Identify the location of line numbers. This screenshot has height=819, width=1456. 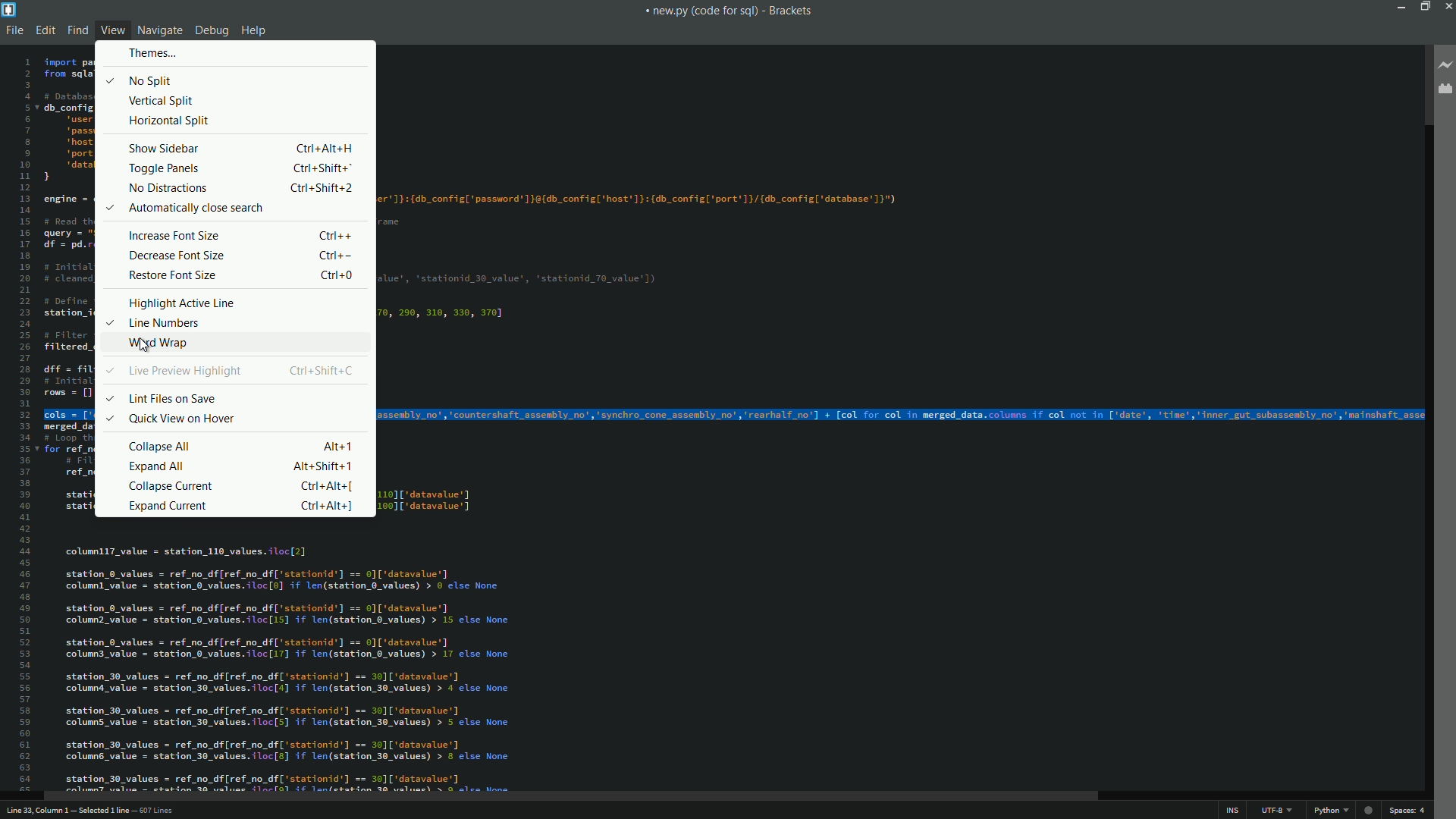
(153, 322).